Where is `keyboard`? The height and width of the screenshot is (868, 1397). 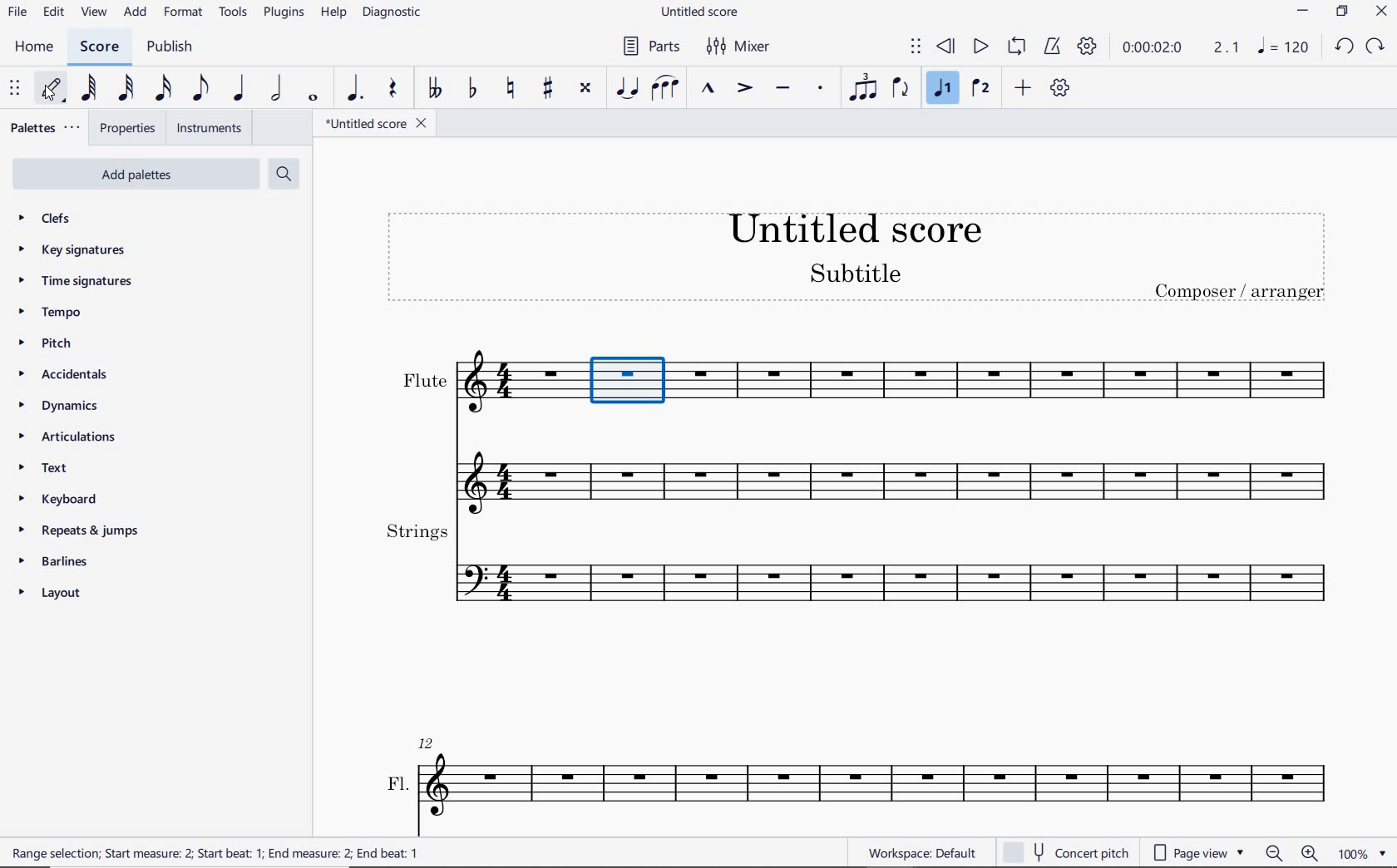
keyboard is located at coordinates (68, 502).